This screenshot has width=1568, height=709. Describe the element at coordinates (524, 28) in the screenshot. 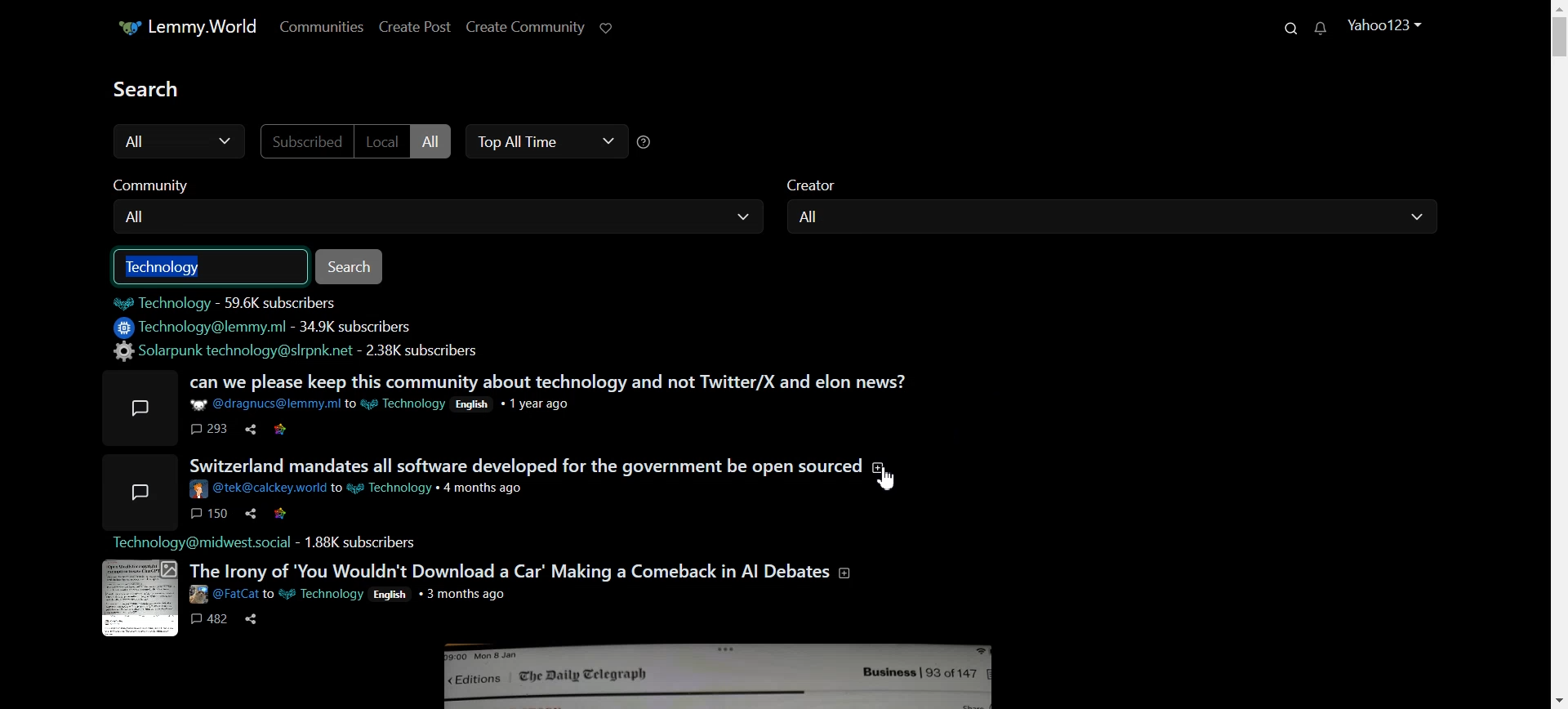

I see `Create Community` at that location.